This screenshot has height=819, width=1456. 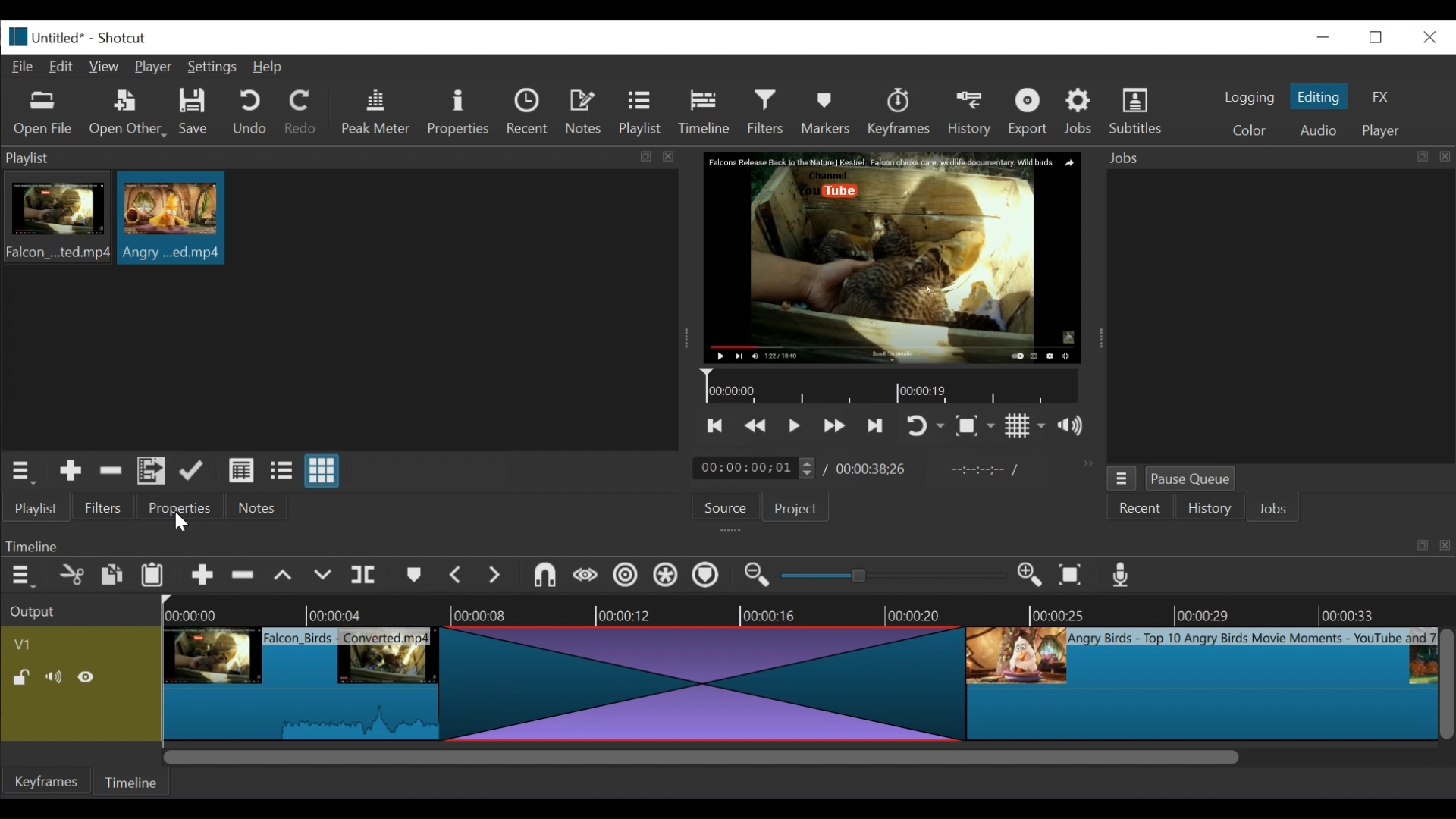 What do you see at coordinates (836, 428) in the screenshot?
I see `play forward quickly` at bounding box center [836, 428].